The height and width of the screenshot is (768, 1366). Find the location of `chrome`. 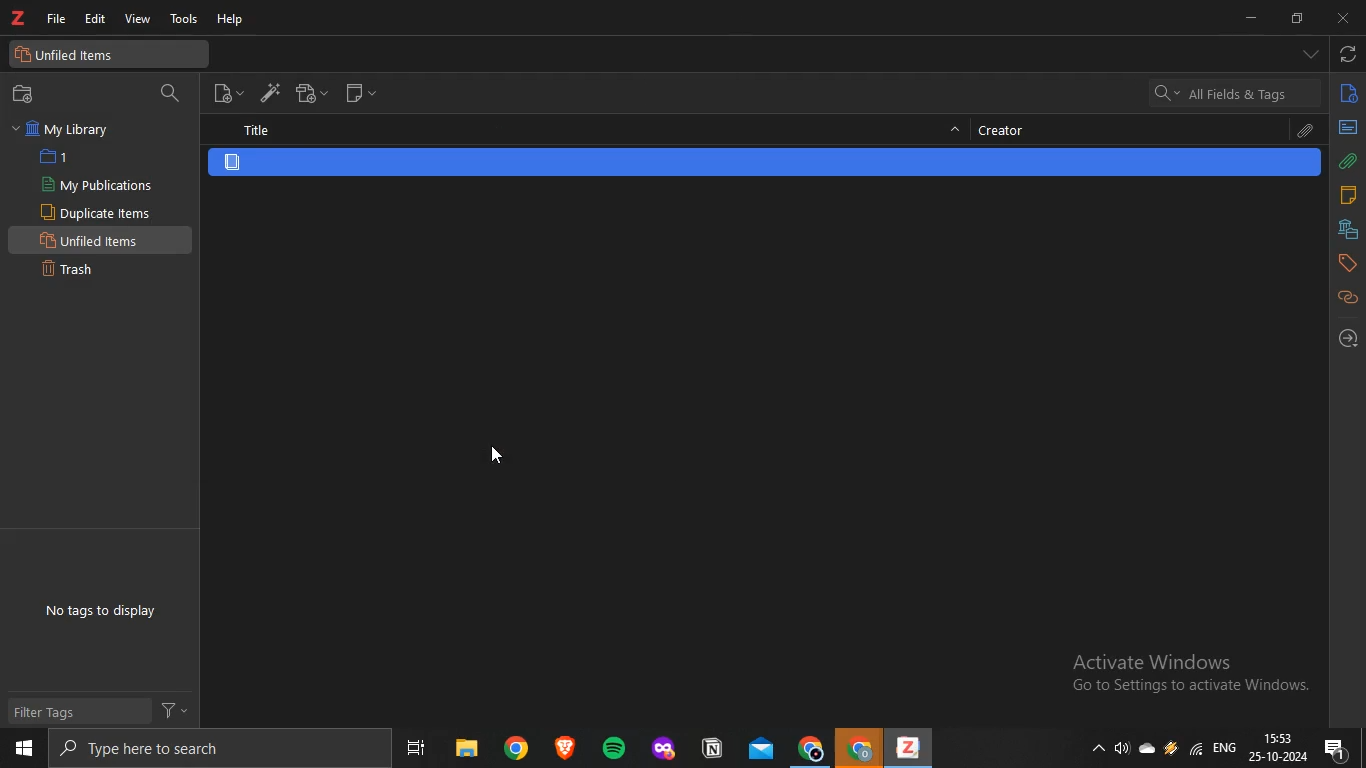

chrome is located at coordinates (516, 747).